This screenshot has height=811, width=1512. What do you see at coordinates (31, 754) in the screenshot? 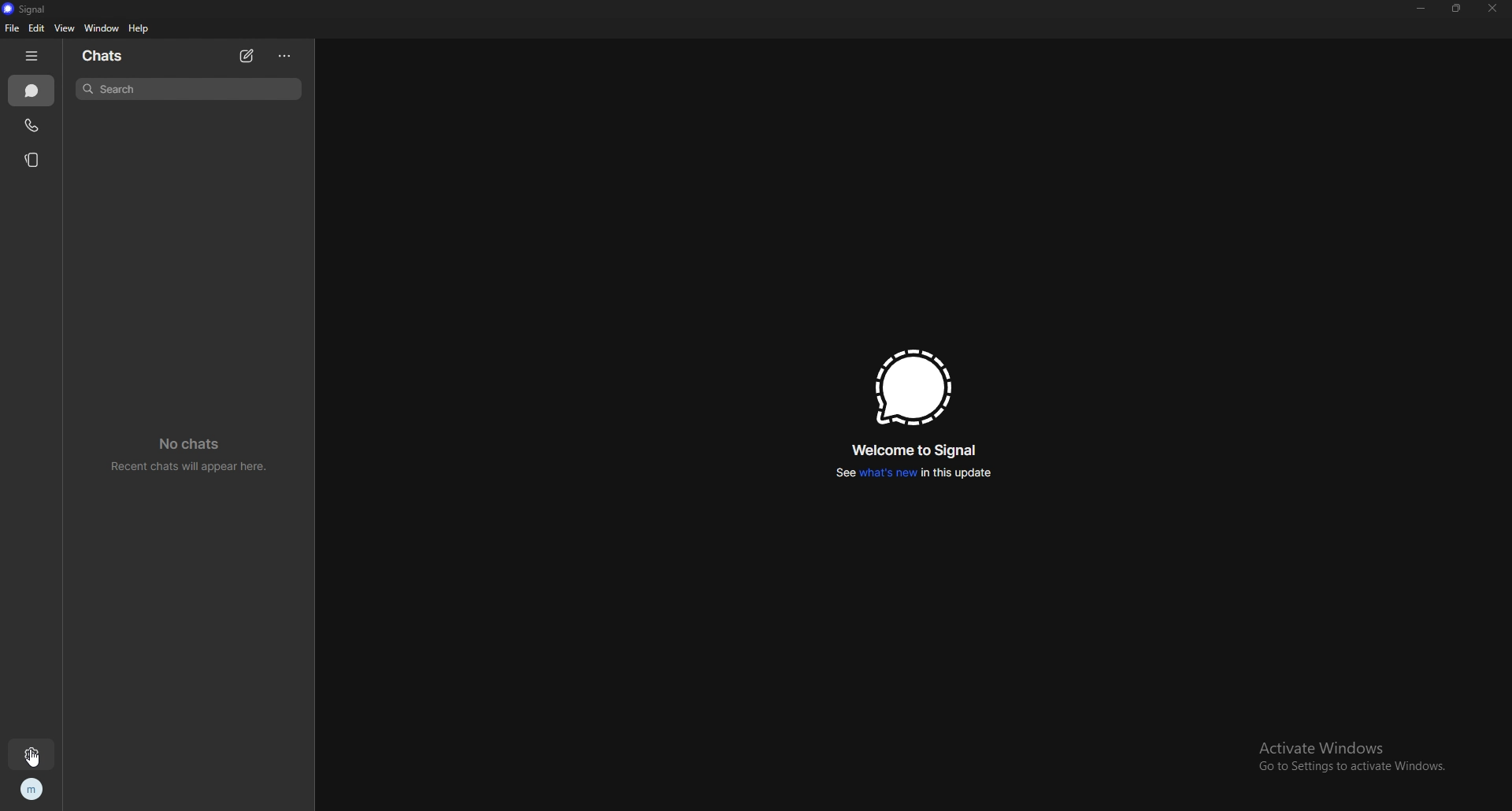
I see `settings` at bounding box center [31, 754].